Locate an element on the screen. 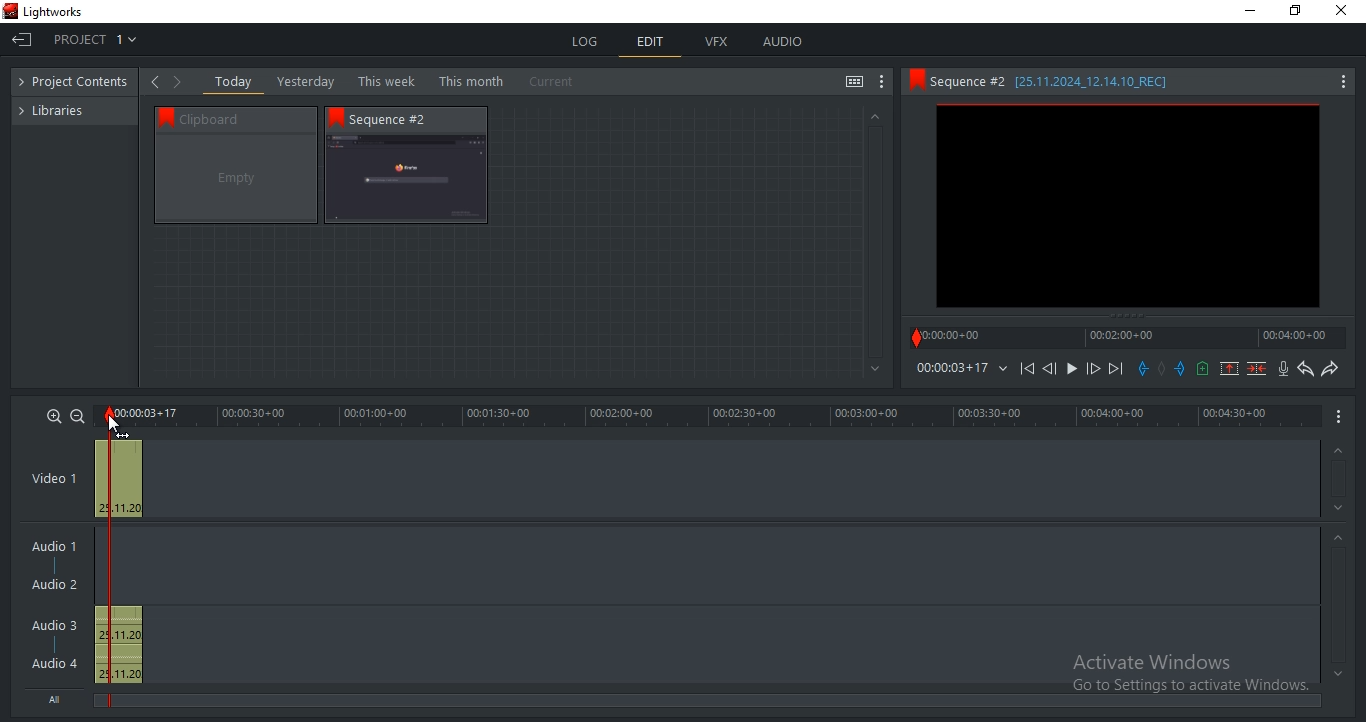  project is located at coordinates (79, 83).